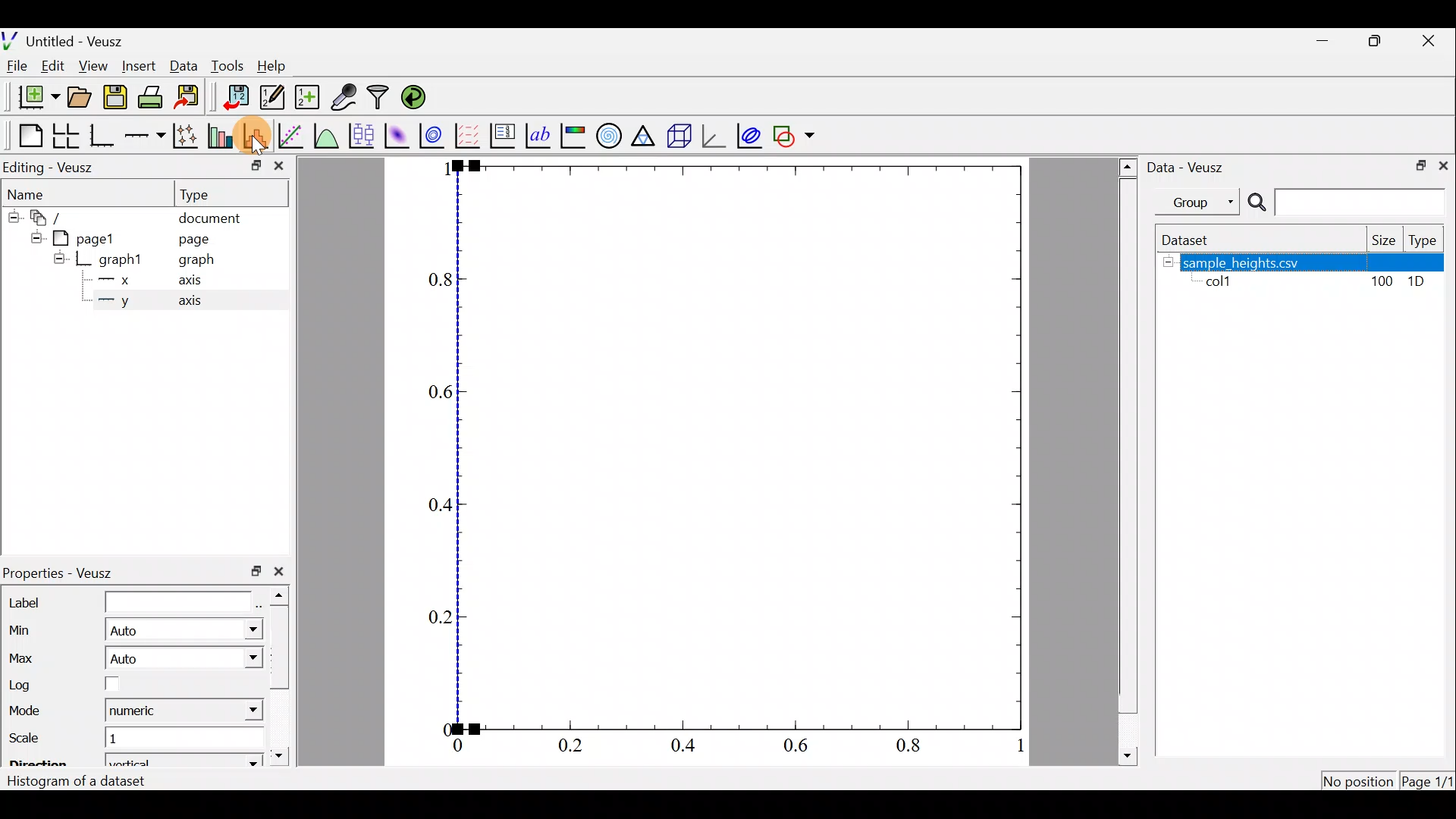 The height and width of the screenshot is (819, 1456). Describe the element at coordinates (438, 505) in the screenshot. I see `0.4` at that location.